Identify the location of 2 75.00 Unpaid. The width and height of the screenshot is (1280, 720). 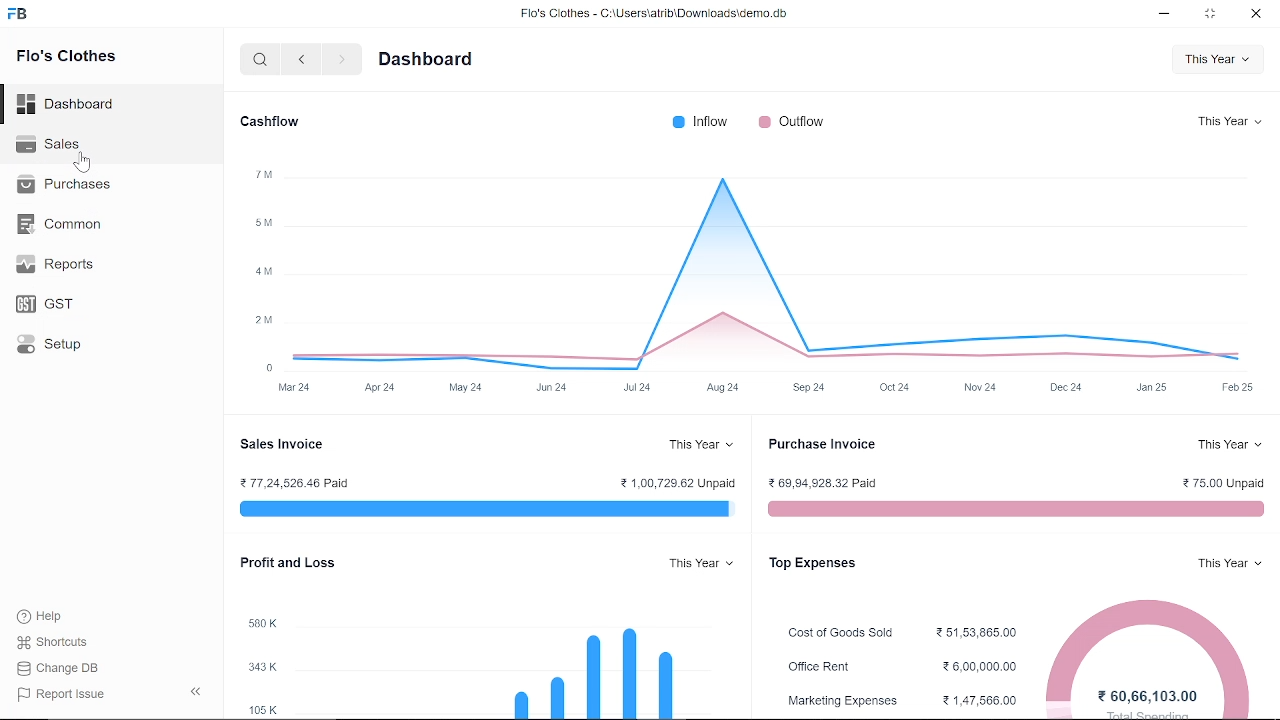
(1222, 483).